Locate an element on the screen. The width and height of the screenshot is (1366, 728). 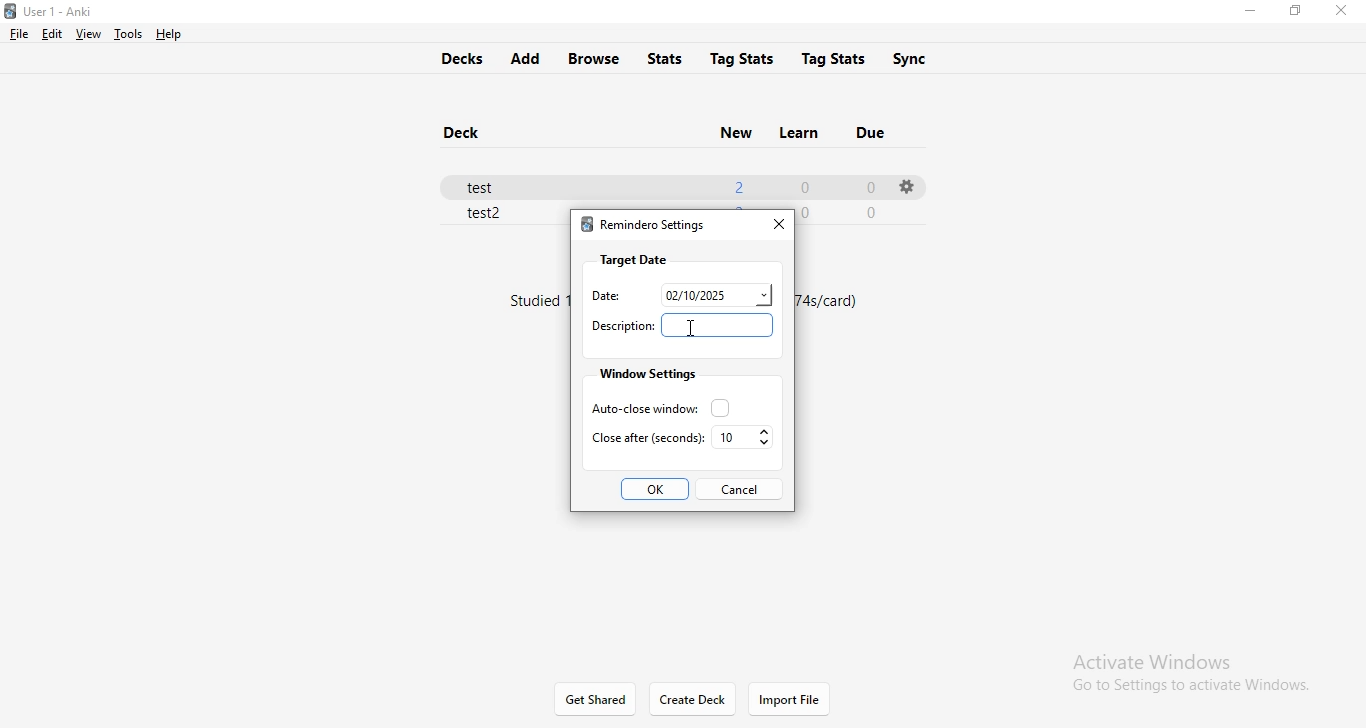
deck is located at coordinates (467, 134).